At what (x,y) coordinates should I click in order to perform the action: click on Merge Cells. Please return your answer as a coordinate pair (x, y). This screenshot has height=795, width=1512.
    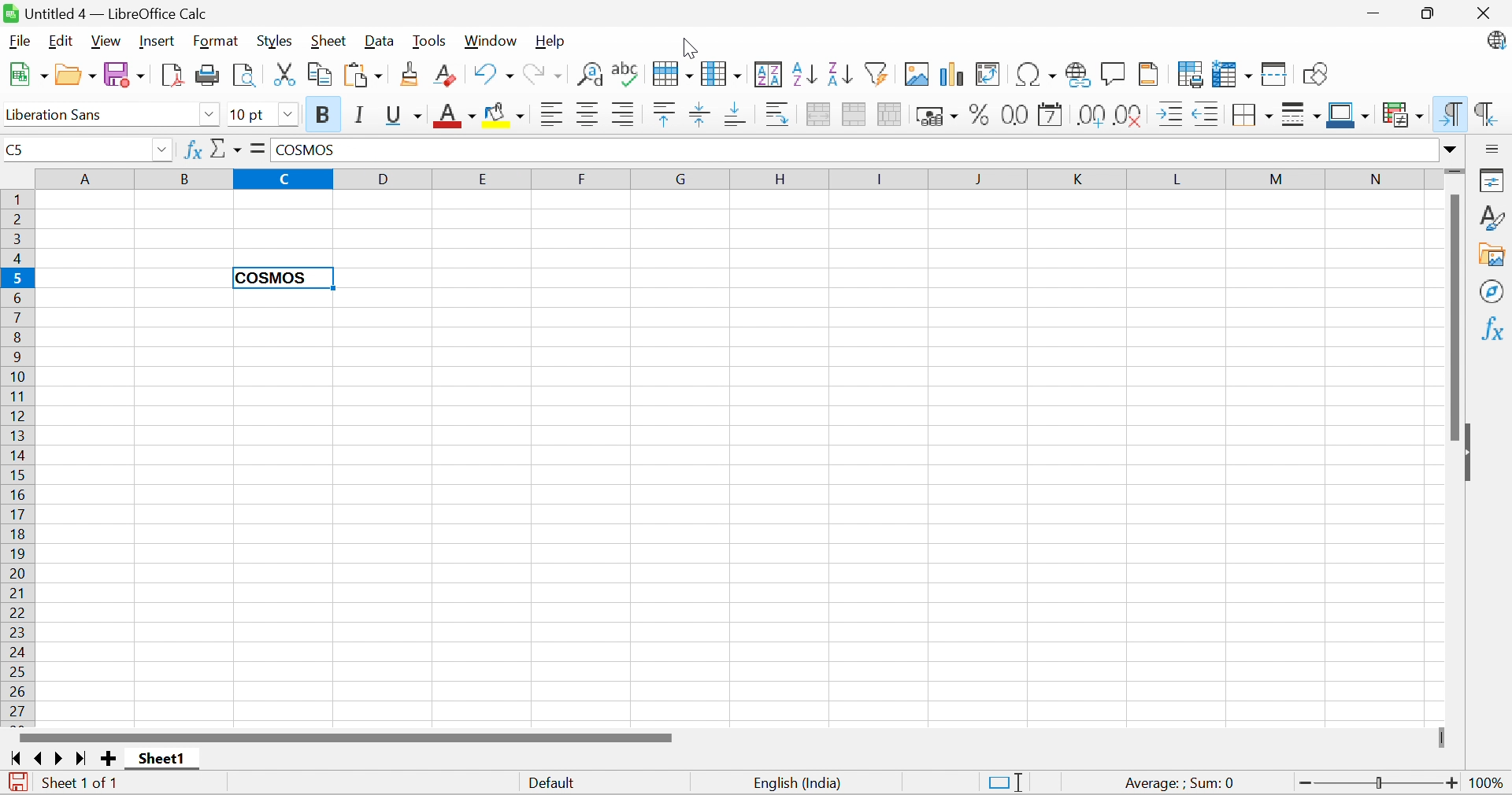
    Looking at the image, I should click on (854, 115).